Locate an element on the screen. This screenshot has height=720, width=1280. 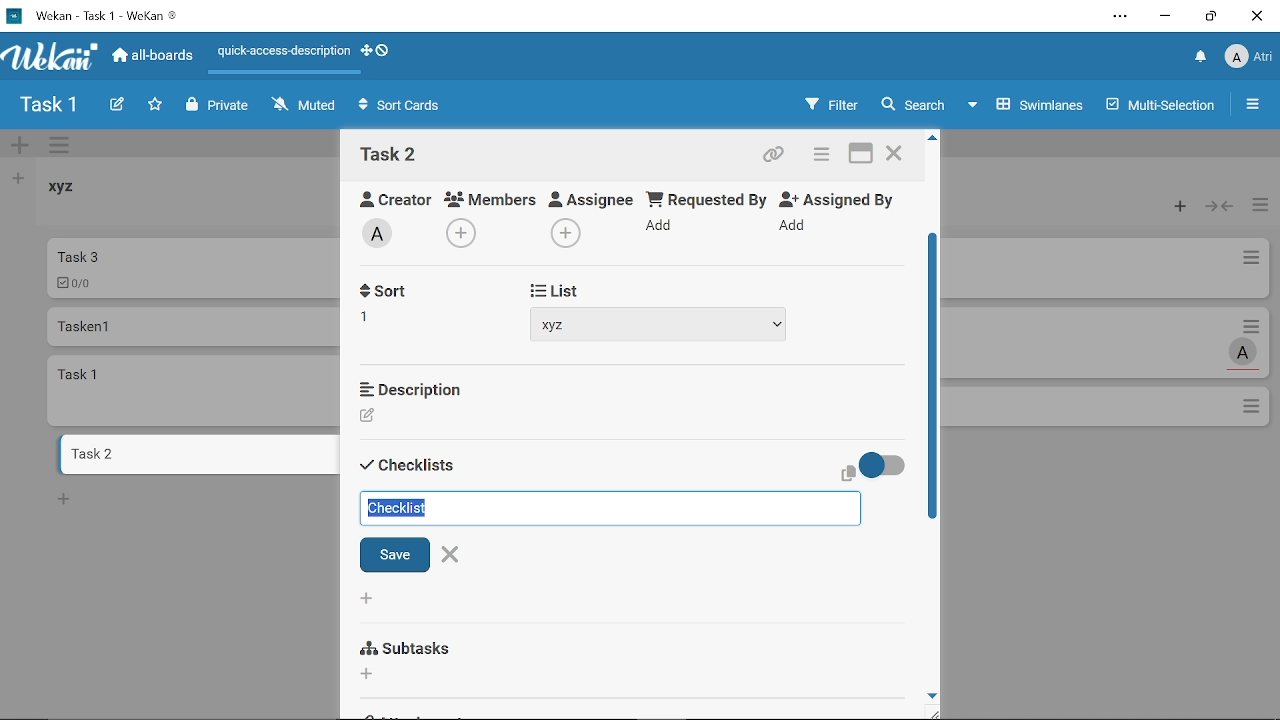
Card named "task 2" is located at coordinates (196, 454).